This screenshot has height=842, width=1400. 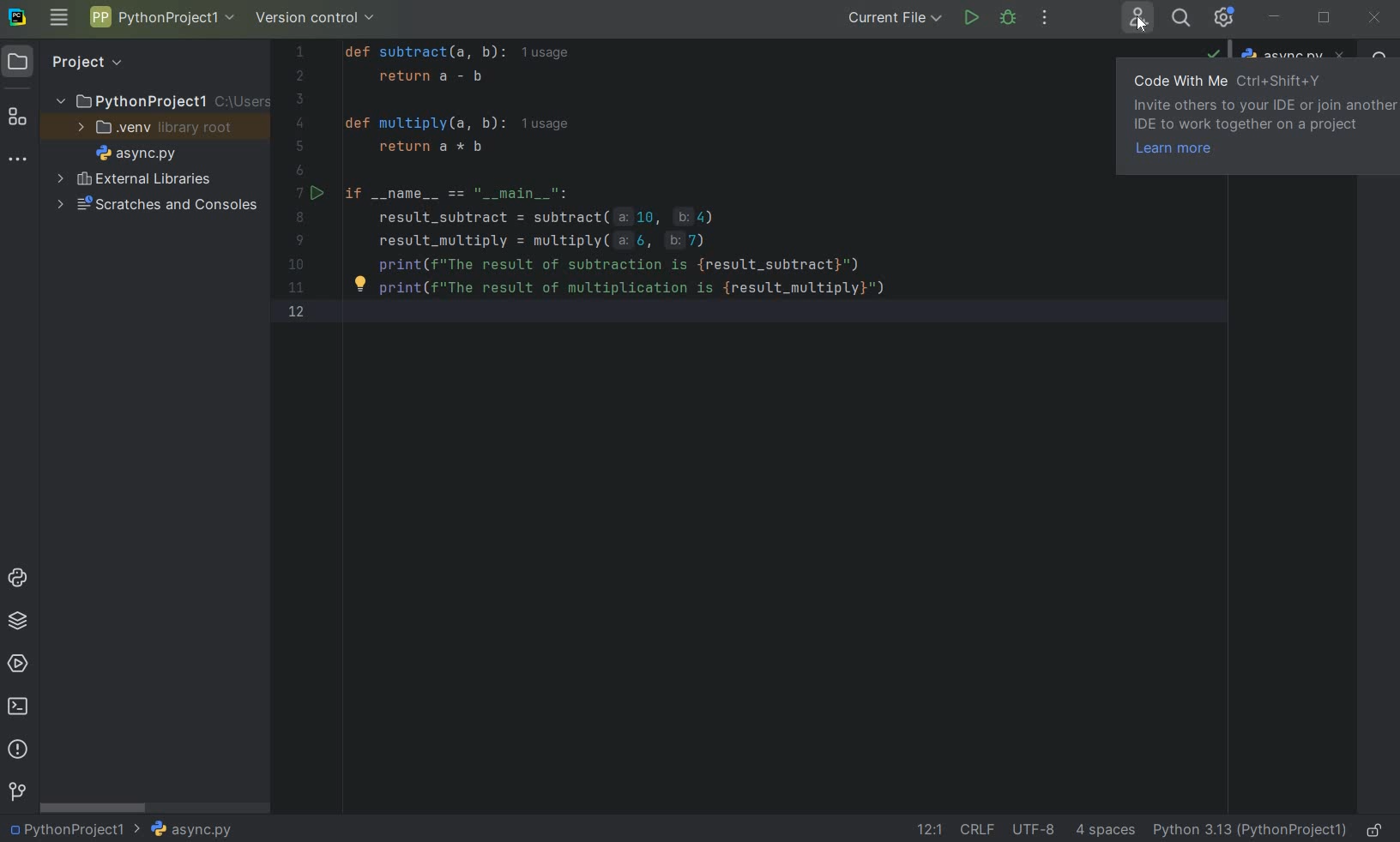 What do you see at coordinates (135, 180) in the screenshot?
I see `EXTERNAL LIBRARIES` at bounding box center [135, 180].